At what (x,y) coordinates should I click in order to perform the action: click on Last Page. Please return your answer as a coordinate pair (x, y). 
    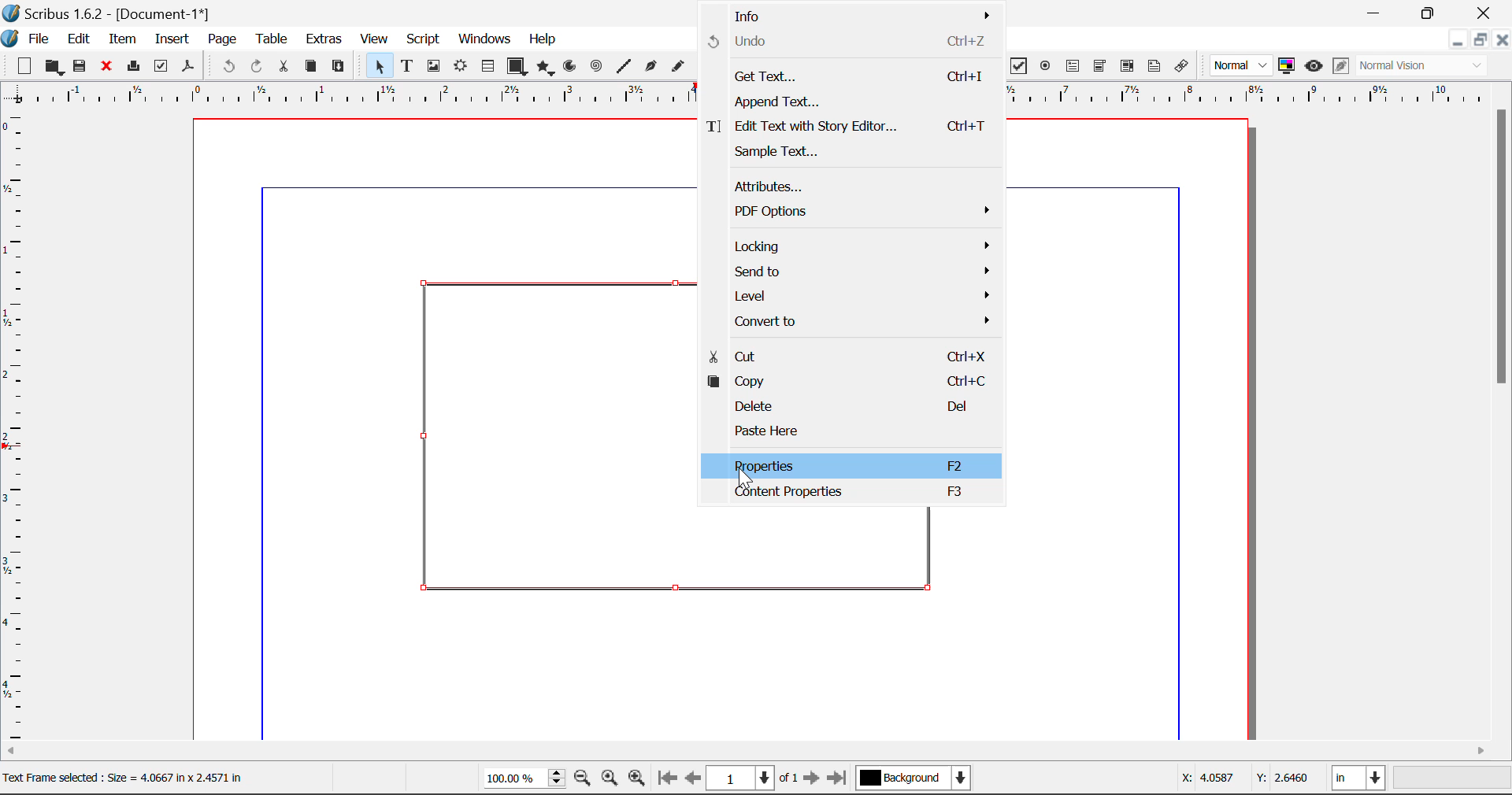
    Looking at the image, I should click on (839, 780).